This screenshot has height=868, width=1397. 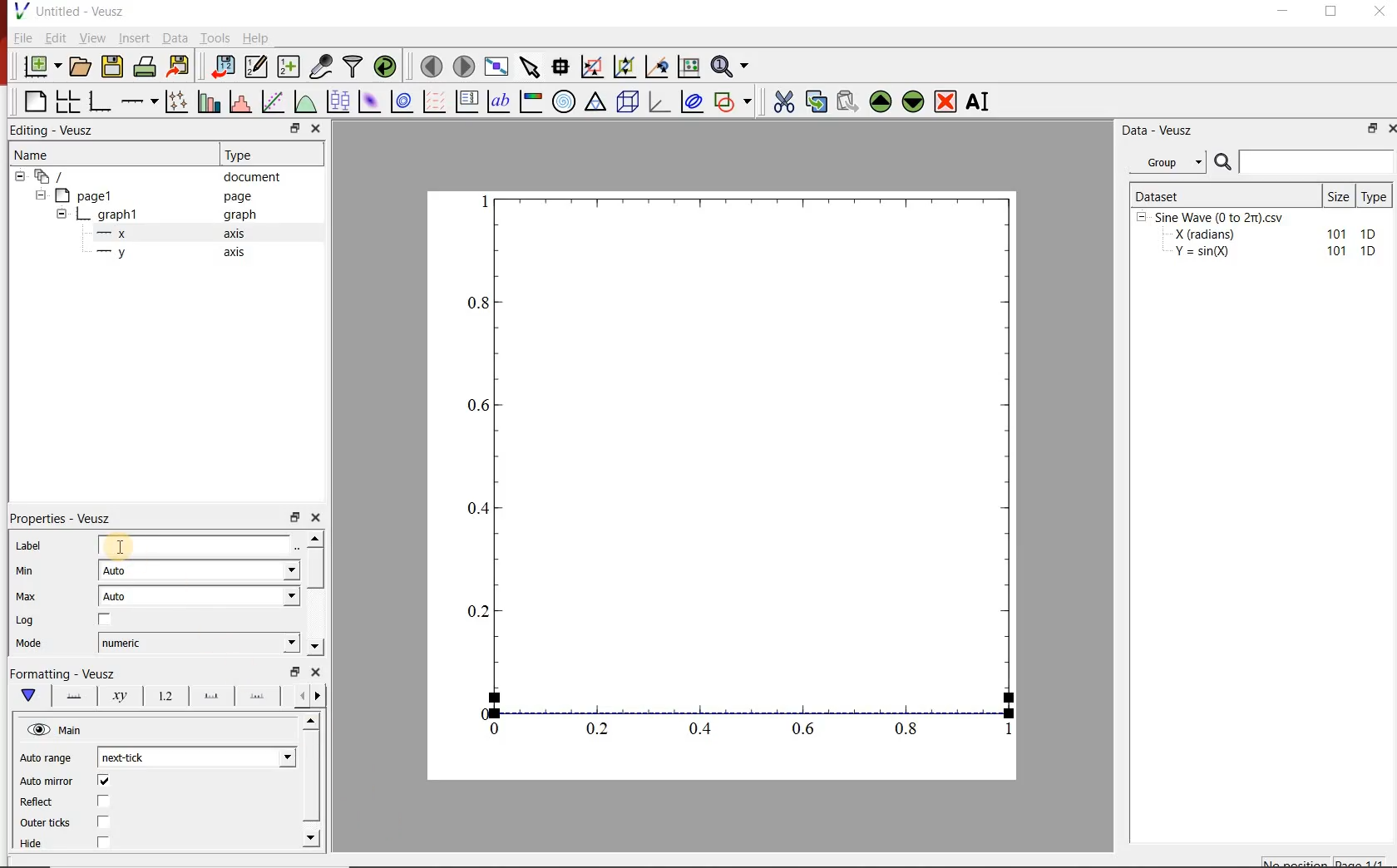 What do you see at coordinates (56, 38) in the screenshot?
I see `Edit` at bounding box center [56, 38].